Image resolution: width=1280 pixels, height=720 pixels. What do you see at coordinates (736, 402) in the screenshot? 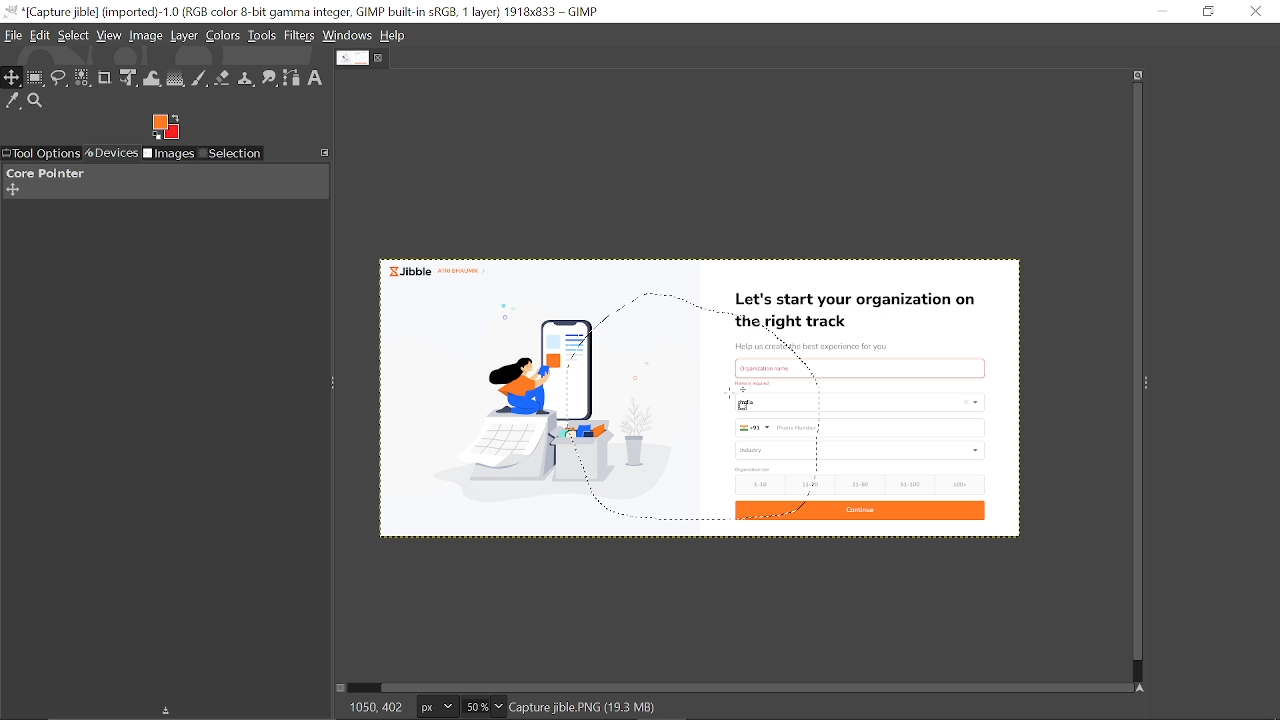
I see `Cursor here` at bounding box center [736, 402].